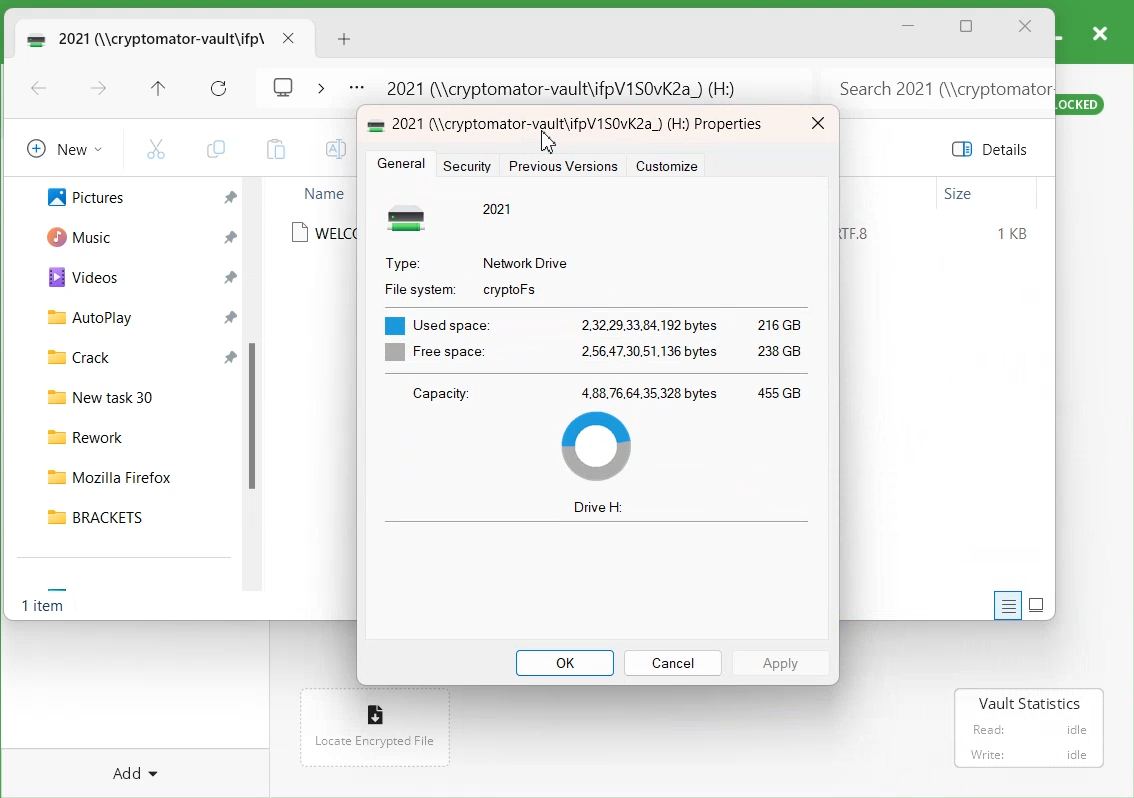  I want to click on 216GB, so click(777, 323).